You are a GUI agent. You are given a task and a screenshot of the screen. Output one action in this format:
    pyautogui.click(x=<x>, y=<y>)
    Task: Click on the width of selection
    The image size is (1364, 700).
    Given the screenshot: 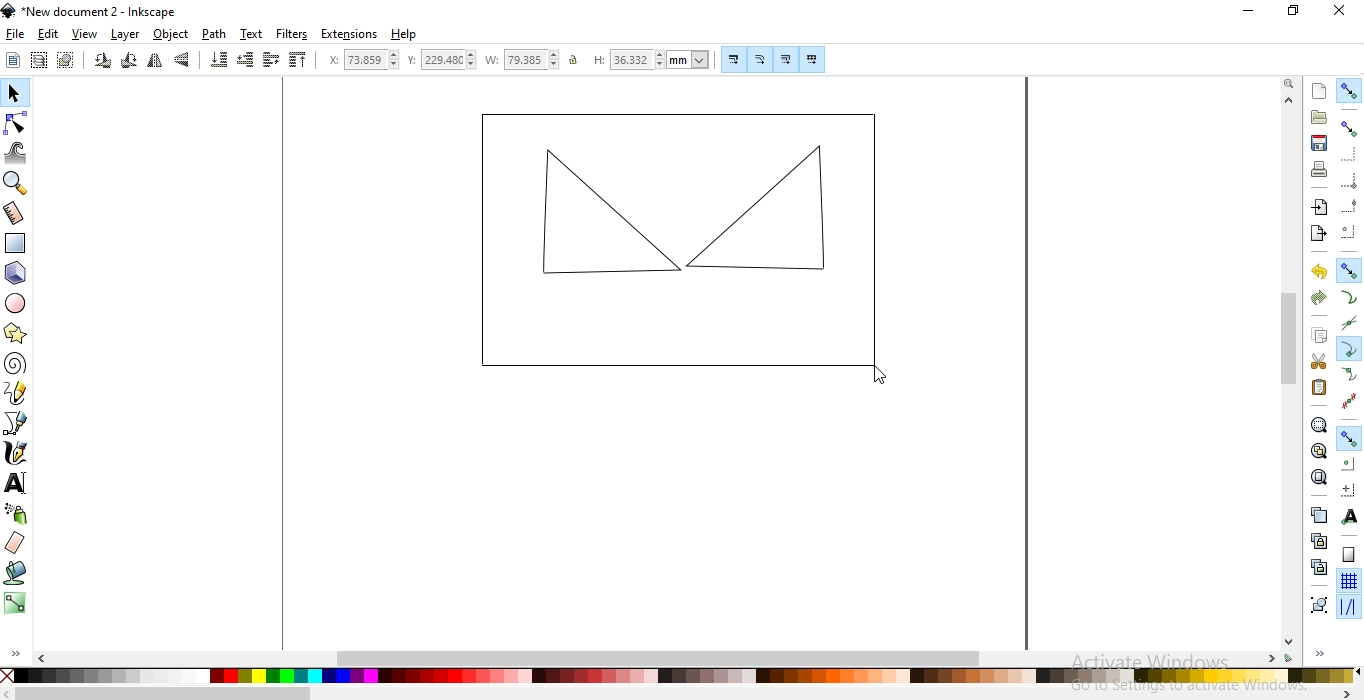 What is the action you would take?
    pyautogui.click(x=523, y=58)
    